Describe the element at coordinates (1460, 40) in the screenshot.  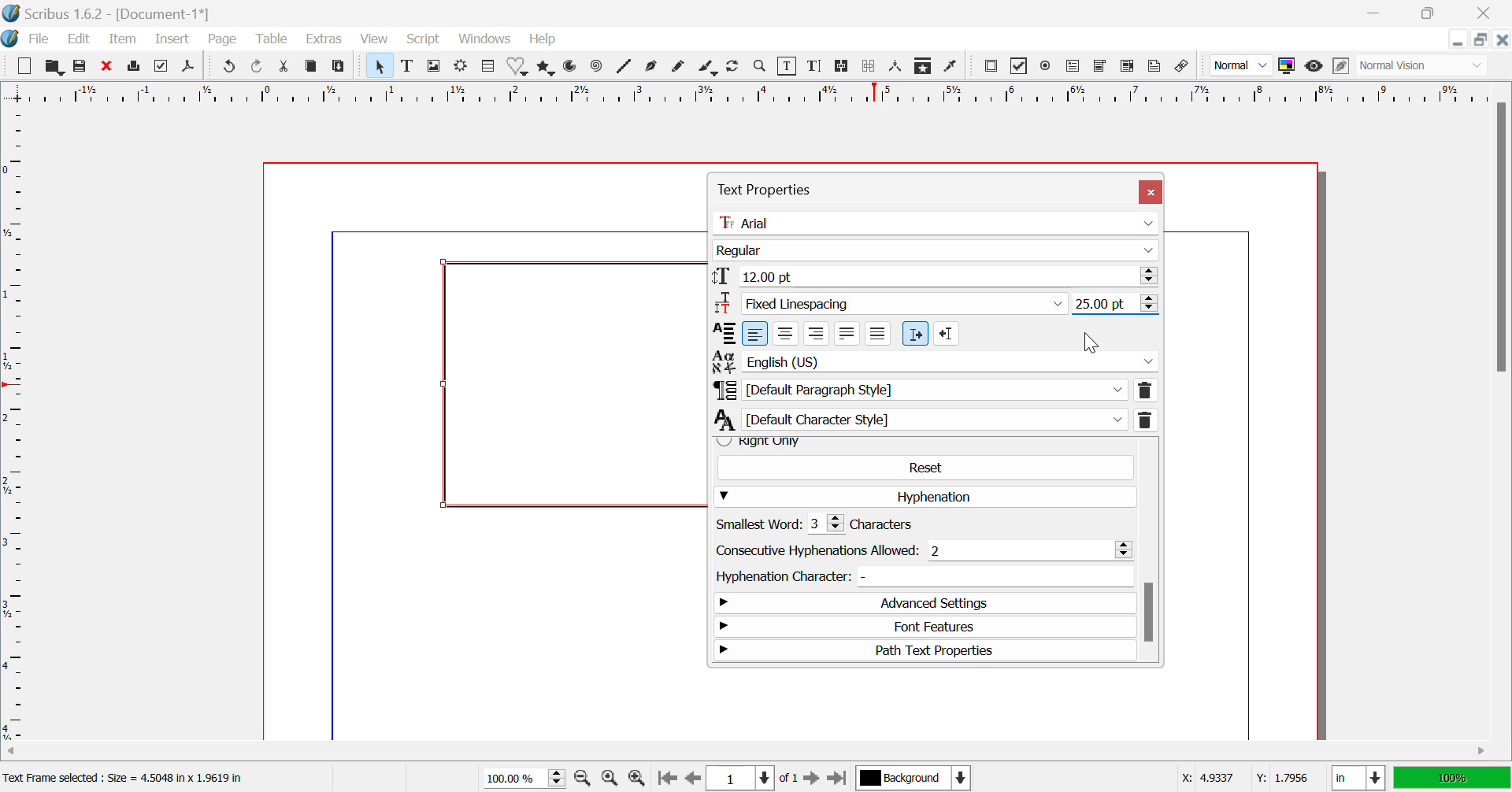
I see `Restore Down` at that location.